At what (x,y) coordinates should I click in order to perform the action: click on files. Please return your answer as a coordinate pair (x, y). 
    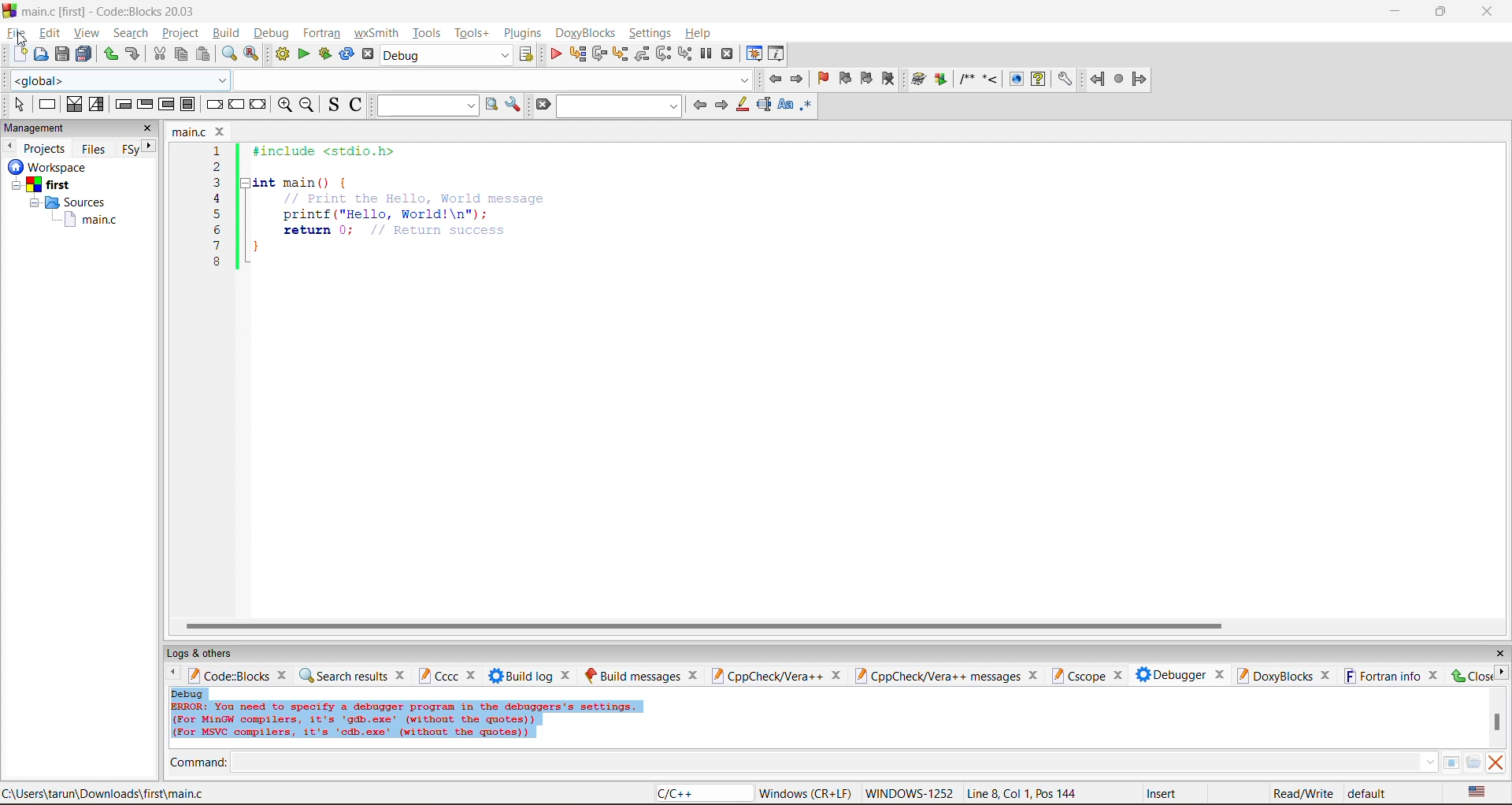
    Looking at the image, I should click on (94, 148).